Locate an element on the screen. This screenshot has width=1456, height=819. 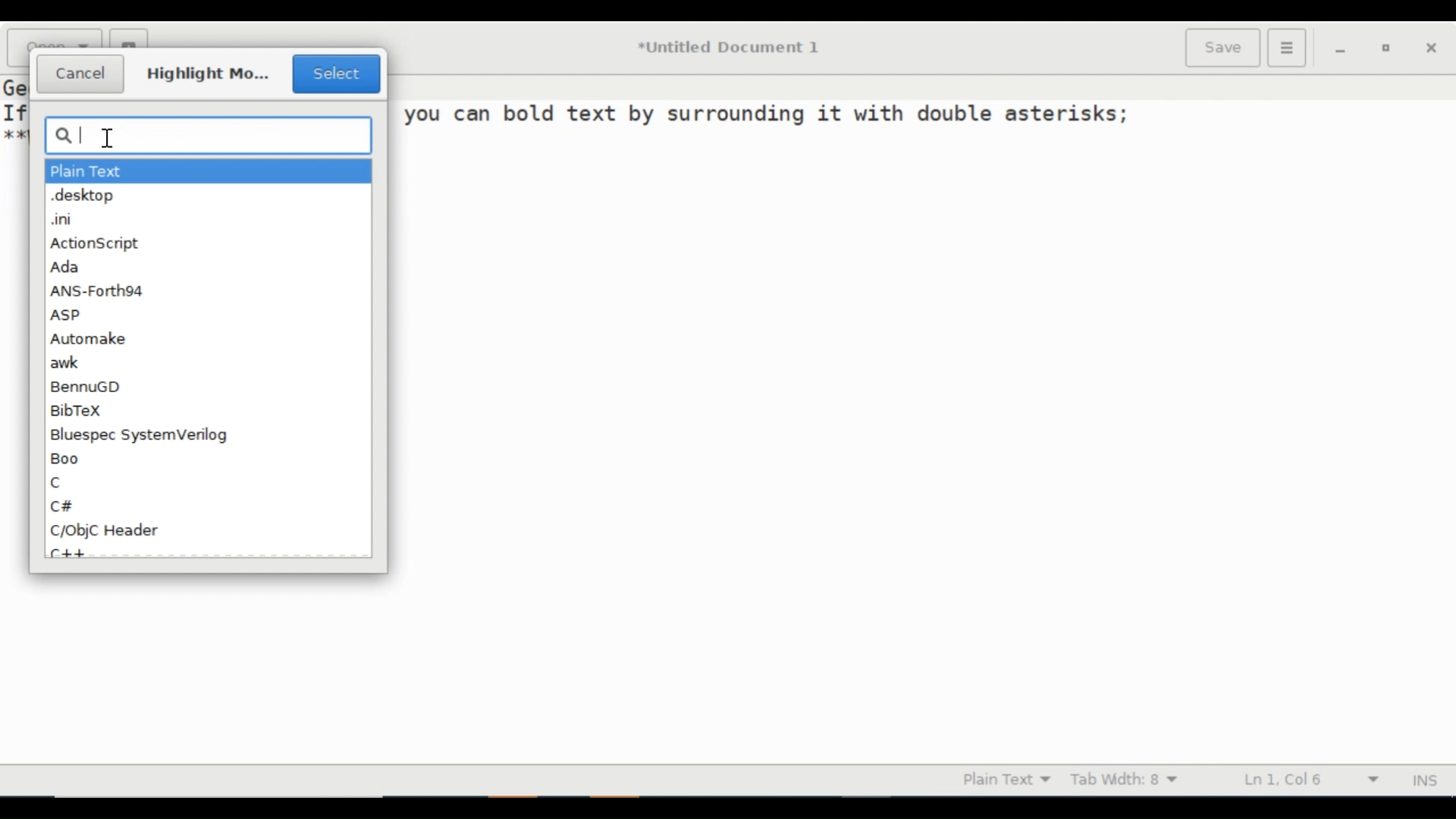
.ini is located at coordinates (63, 220).